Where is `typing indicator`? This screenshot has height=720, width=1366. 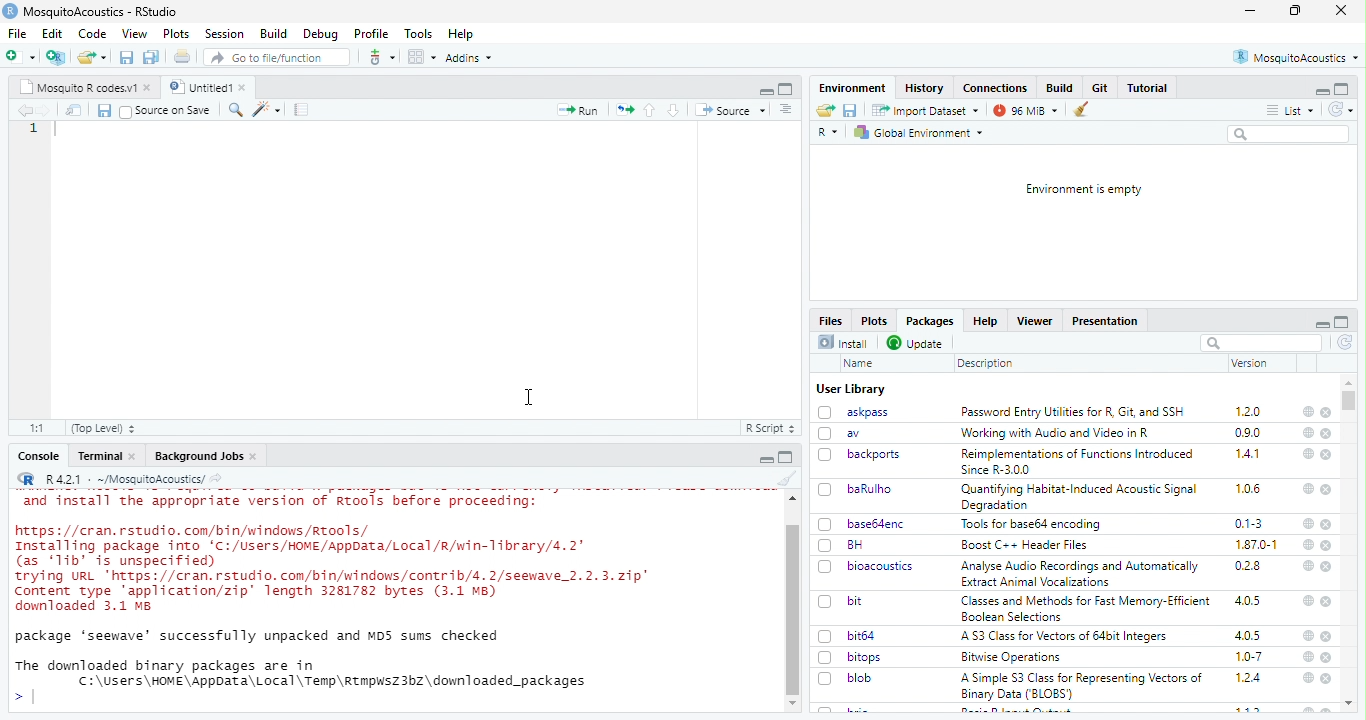
typing indicator is located at coordinates (34, 697).